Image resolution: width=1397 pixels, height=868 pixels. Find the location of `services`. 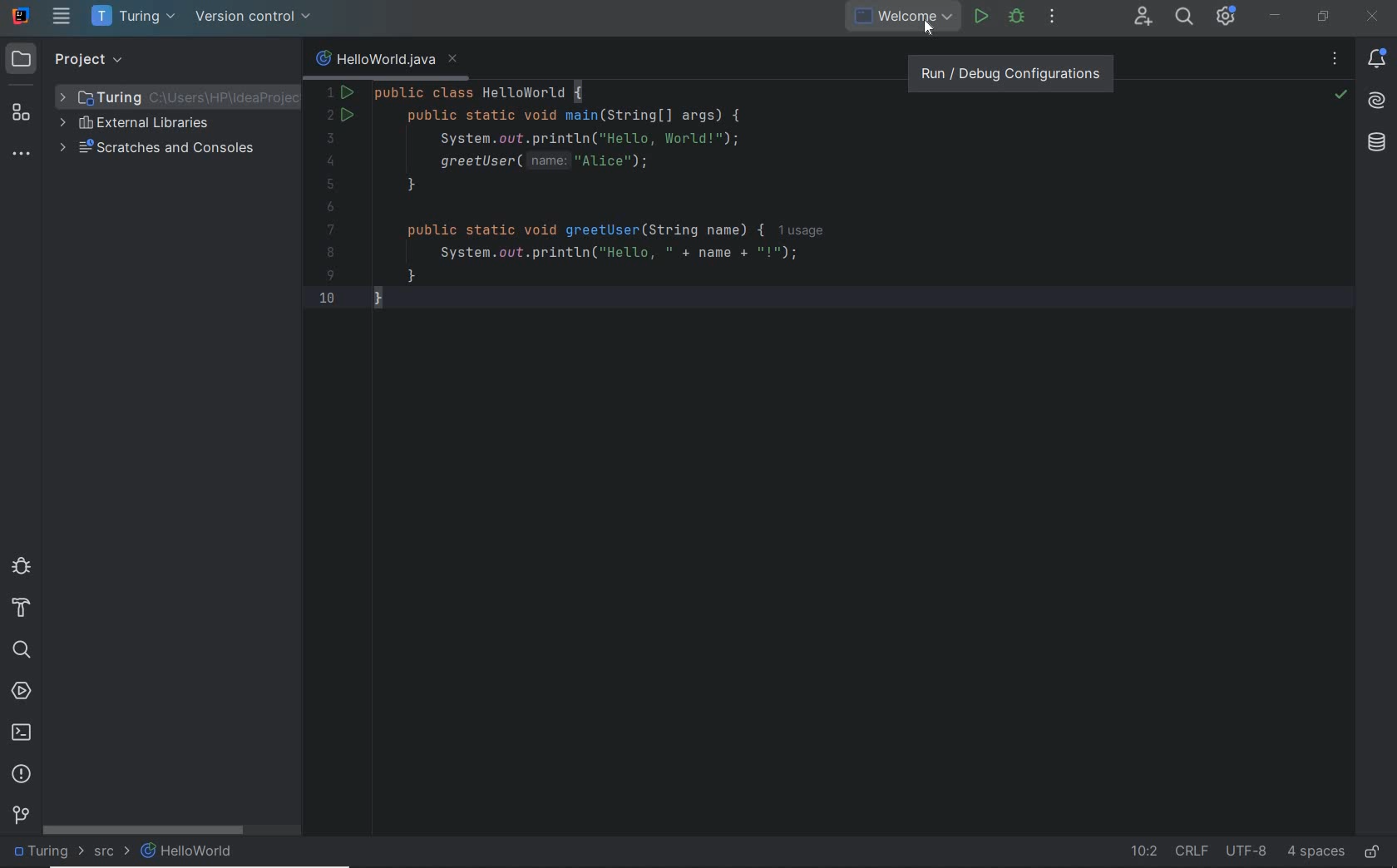

services is located at coordinates (22, 693).